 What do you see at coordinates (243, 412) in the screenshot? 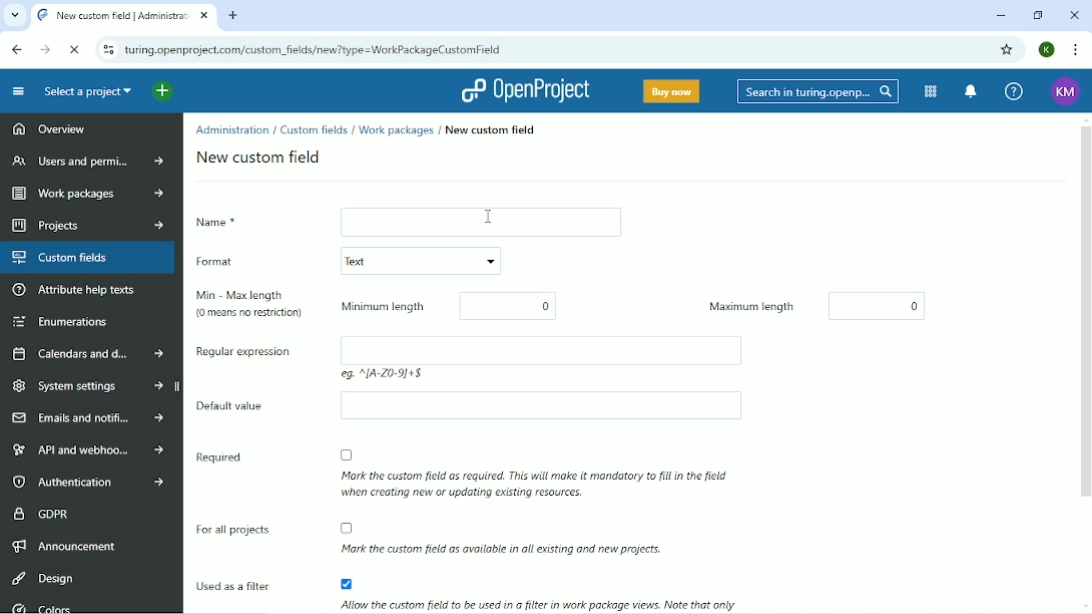
I see `Default value` at bounding box center [243, 412].